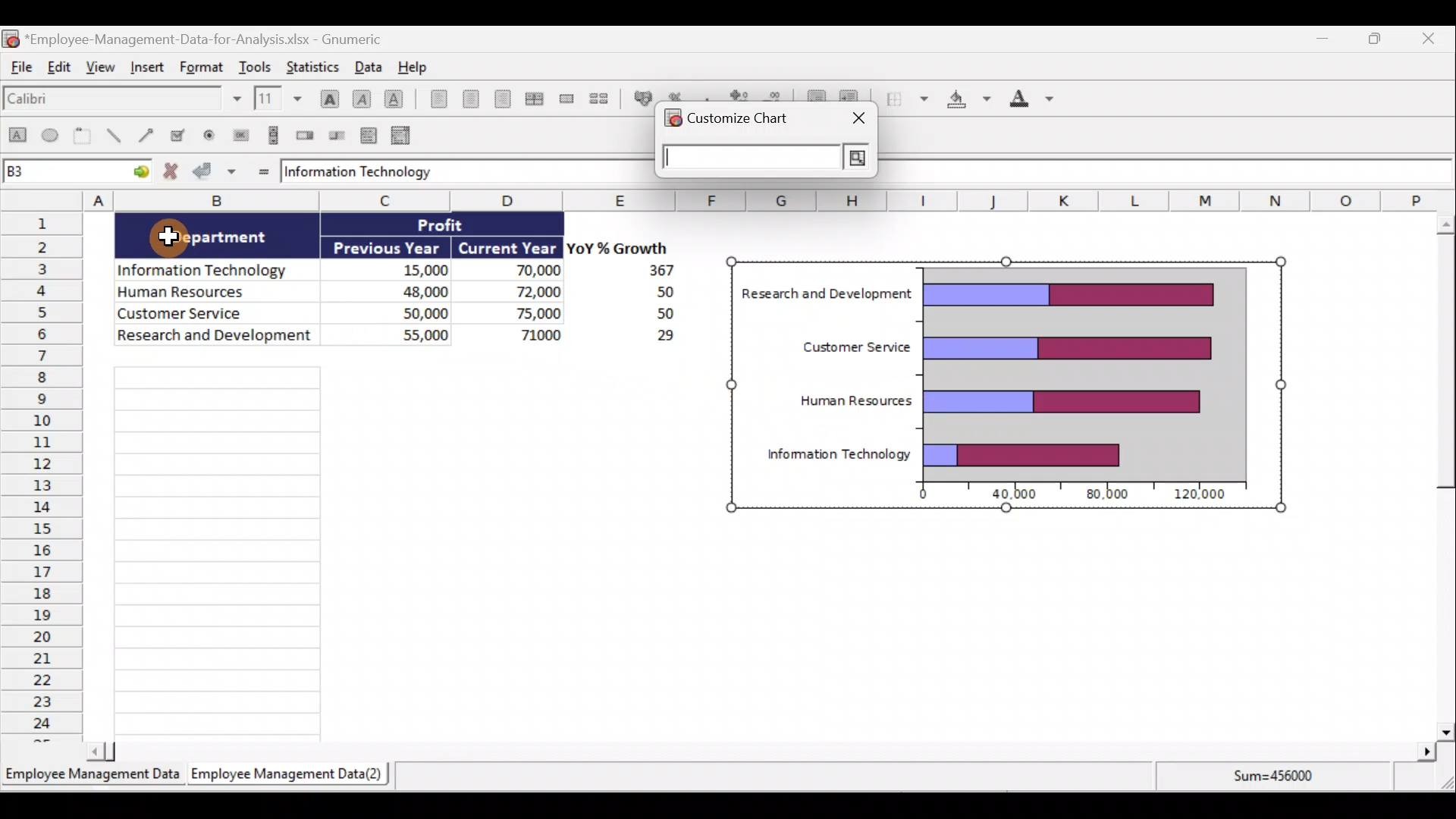 This screenshot has height=819, width=1456. Describe the element at coordinates (171, 235) in the screenshot. I see `Cursor` at that location.